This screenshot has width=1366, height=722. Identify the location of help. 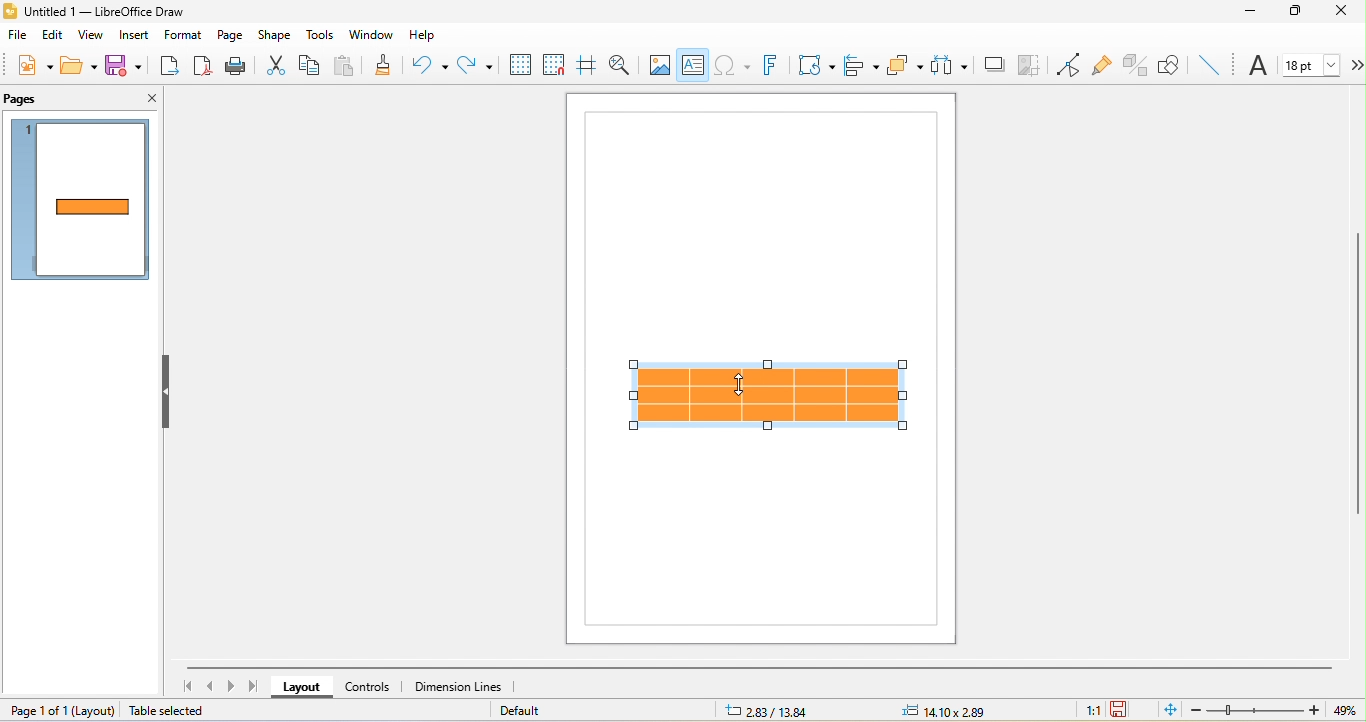
(427, 36).